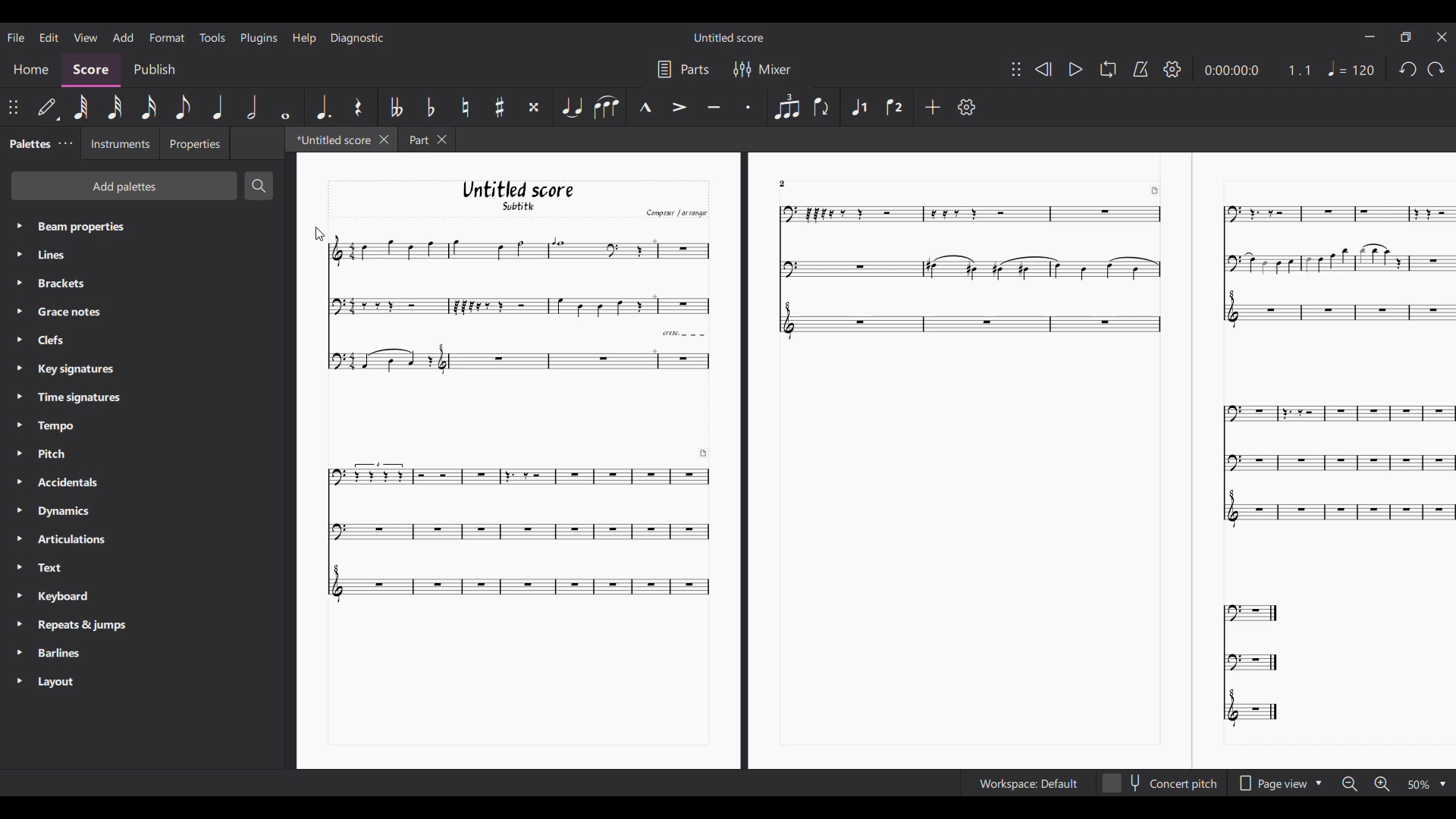  Describe the element at coordinates (21, 628) in the screenshot. I see `` at that location.